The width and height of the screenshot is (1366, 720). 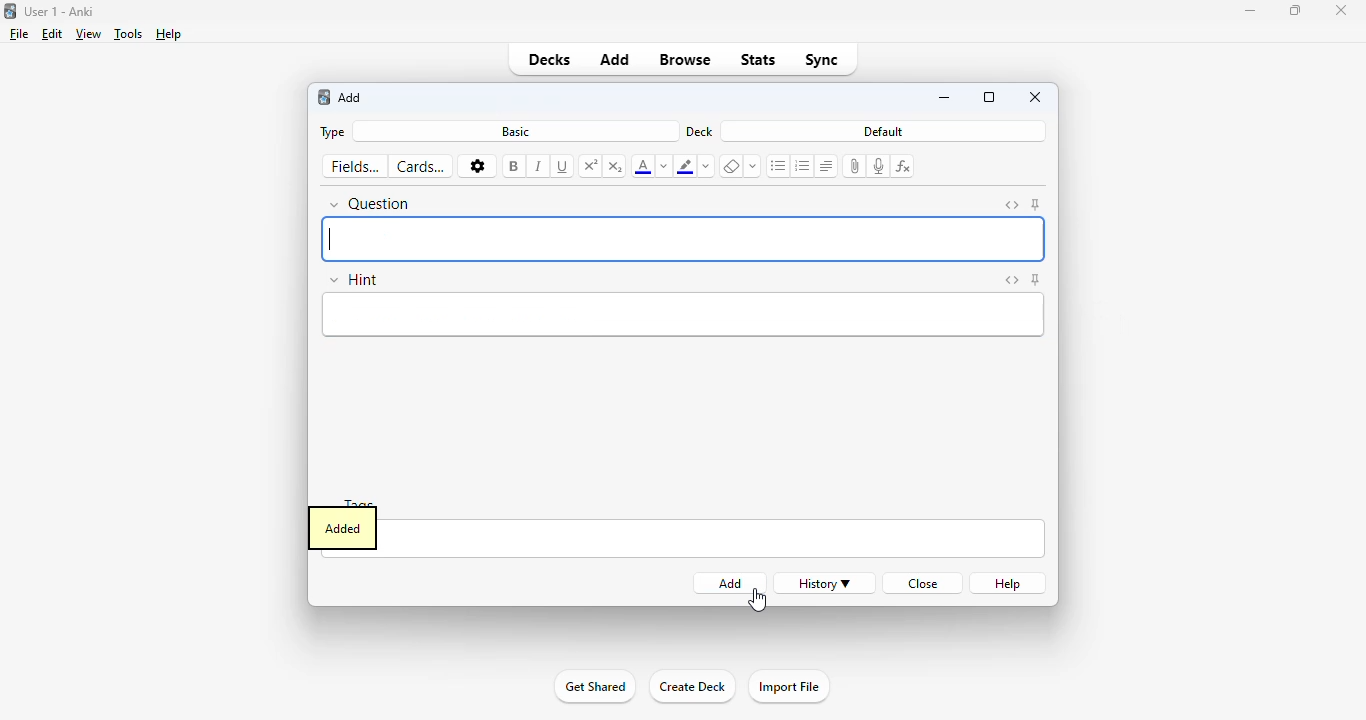 What do you see at coordinates (684, 239) in the screenshot?
I see `2+2=?` at bounding box center [684, 239].